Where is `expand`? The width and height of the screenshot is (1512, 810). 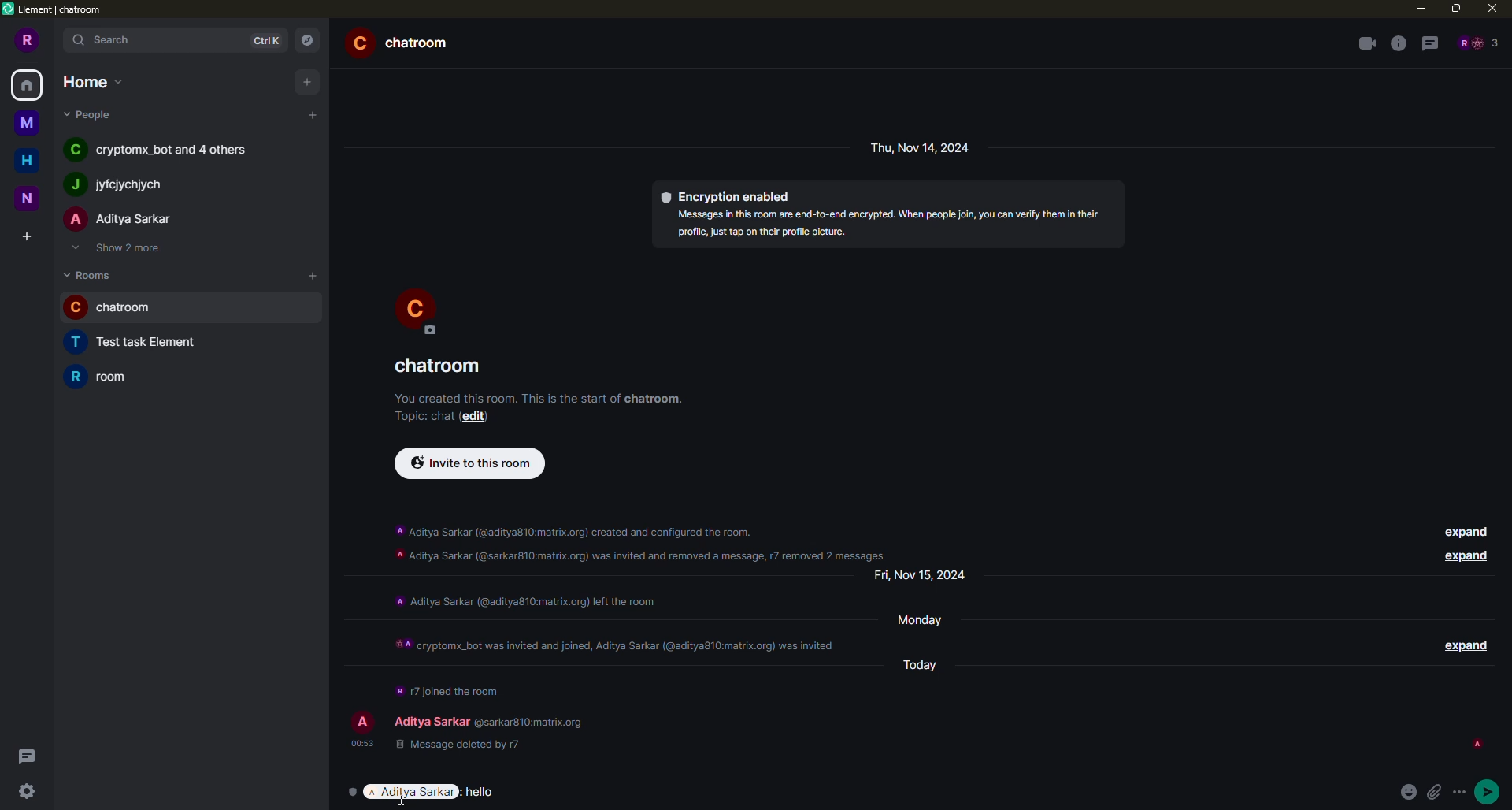 expand is located at coordinates (1463, 556).